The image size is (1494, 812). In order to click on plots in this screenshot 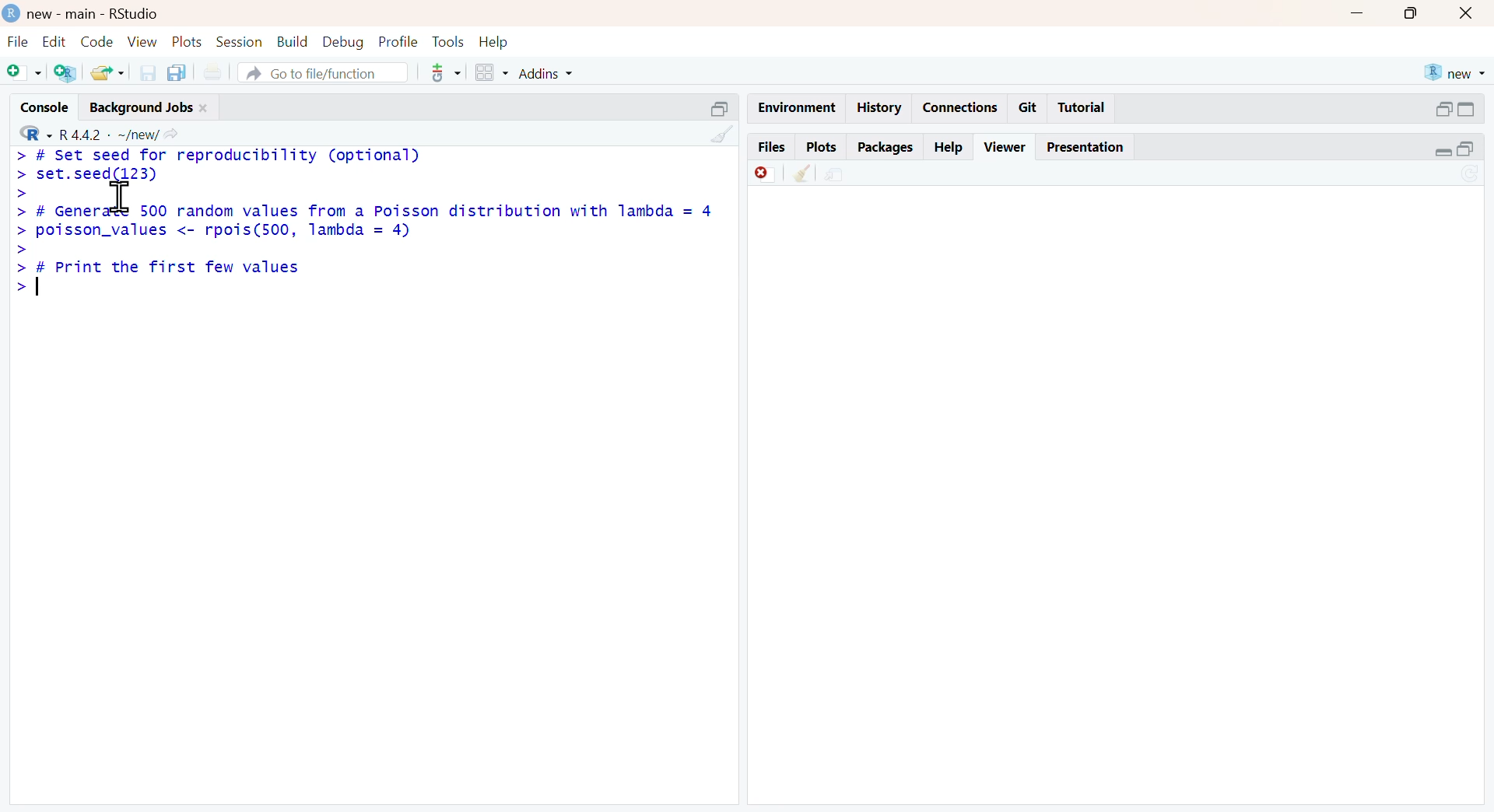, I will do `click(187, 41)`.